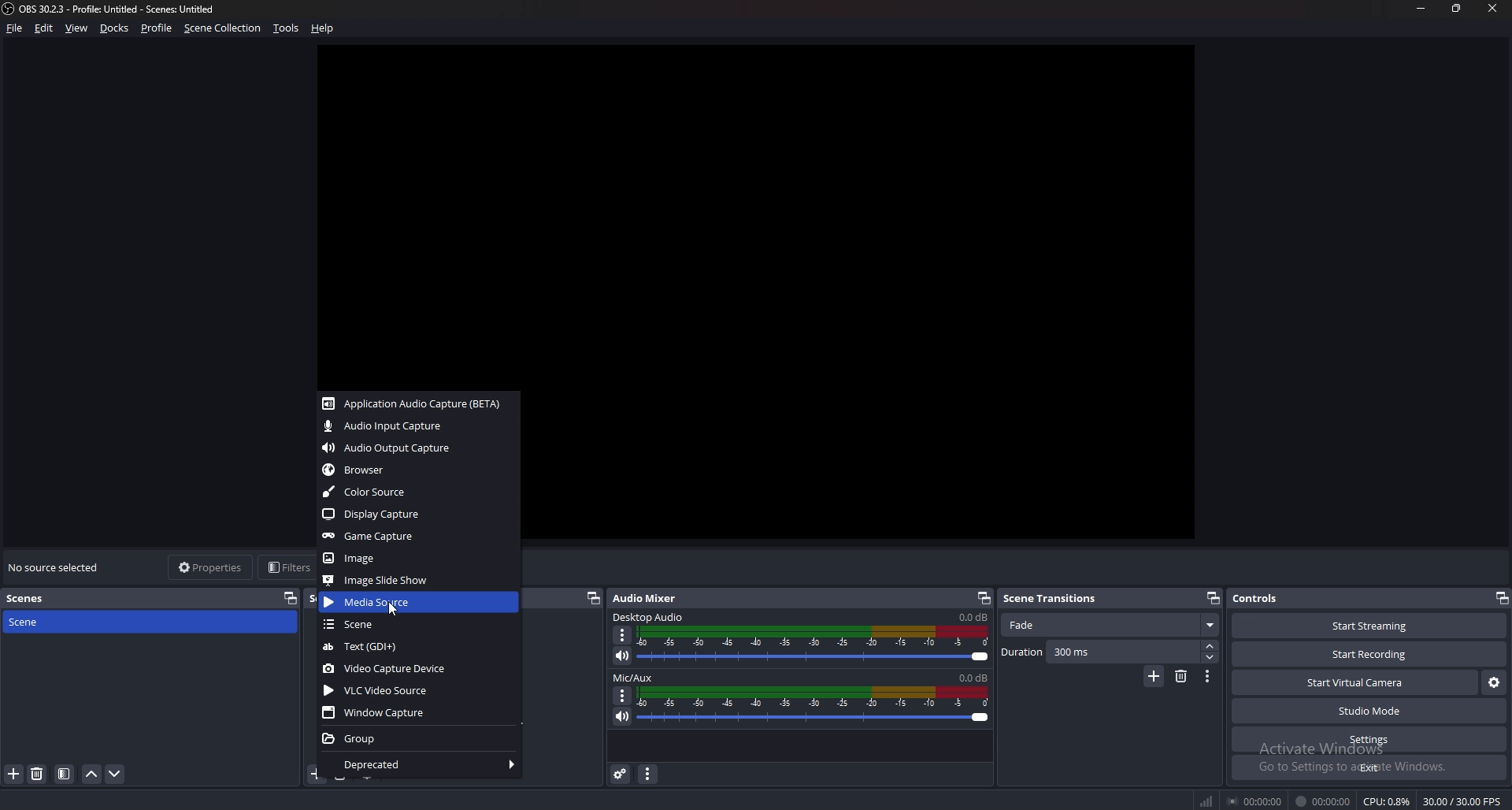 The image size is (1512, 810). What do you see at coordinates (772, 215) in the screenshot?
I see `workspace` at bounding box center [772, 215].